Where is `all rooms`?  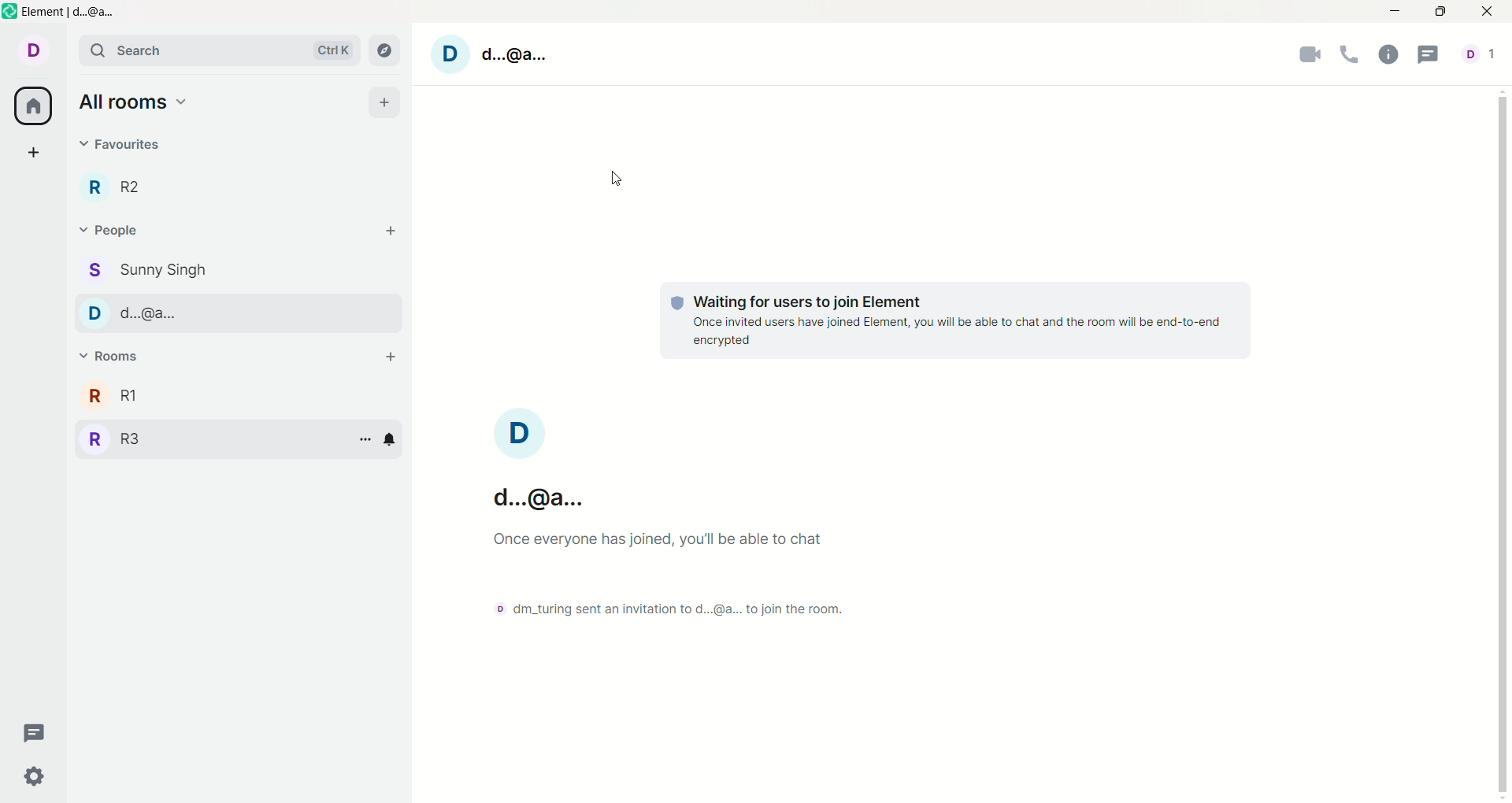 all rooms is located at coordinates (32, 107).